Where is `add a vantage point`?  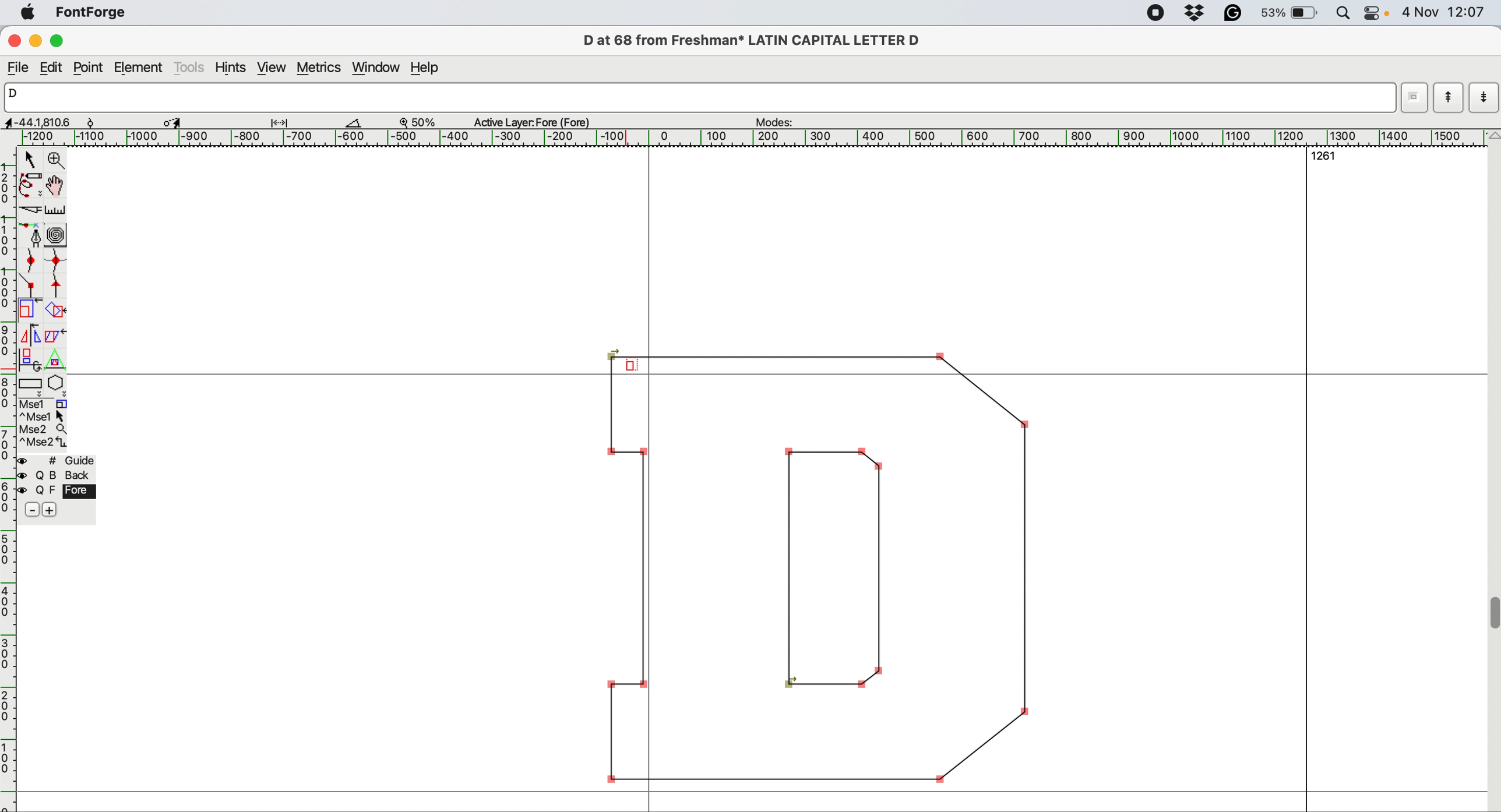 add a vantage point is located at coordinates (60, 287).